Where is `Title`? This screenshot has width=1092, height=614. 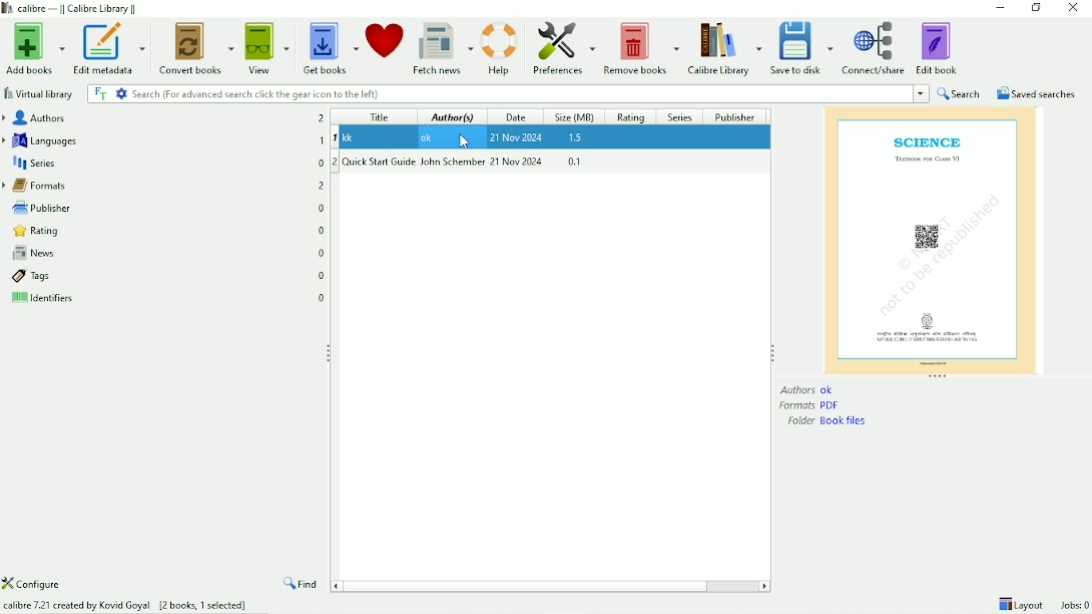
Title is located at coordinates (381, 116).